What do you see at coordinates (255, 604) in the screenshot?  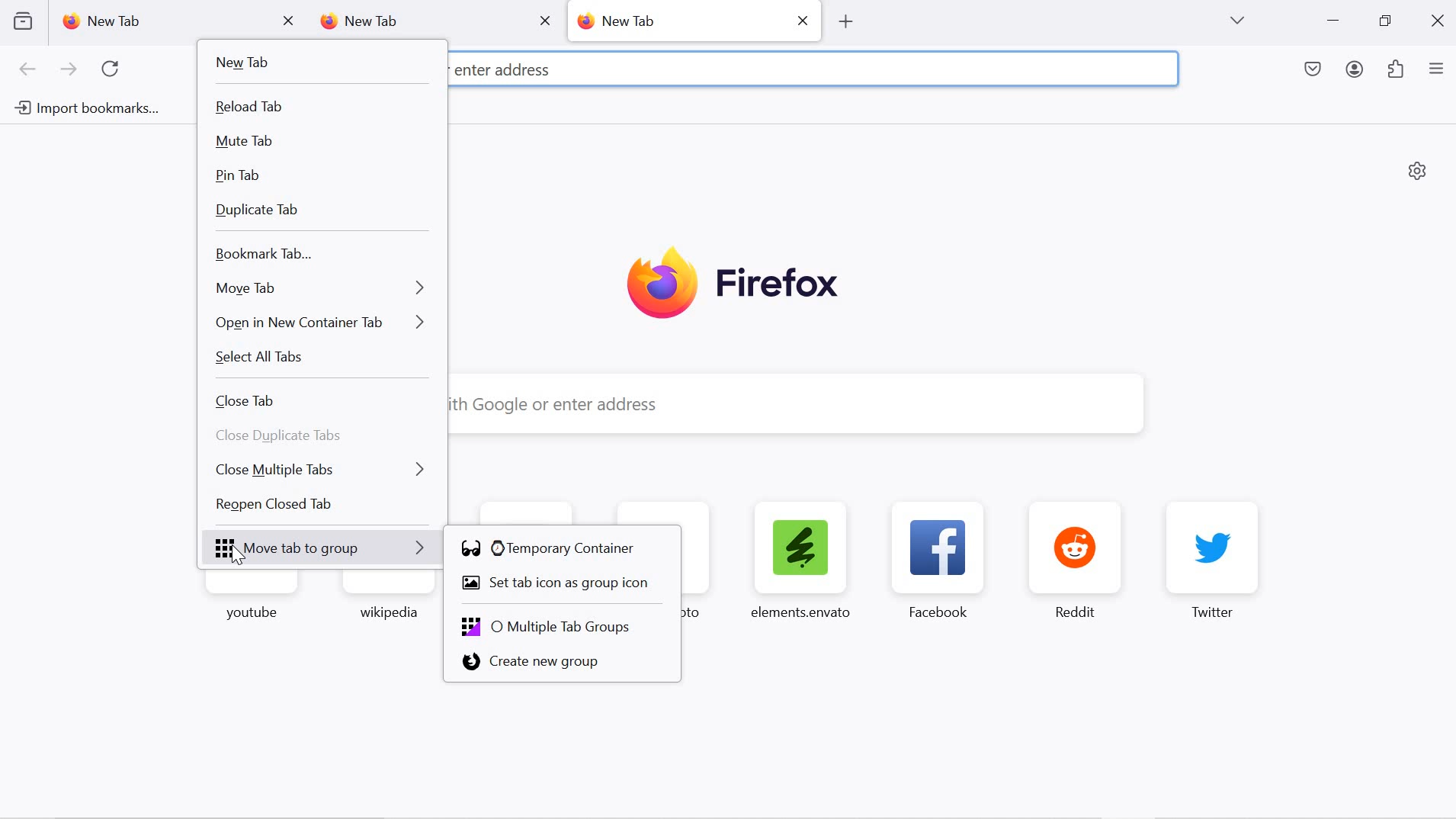 I see `youtube favorite` at bounding box center [255, 604].